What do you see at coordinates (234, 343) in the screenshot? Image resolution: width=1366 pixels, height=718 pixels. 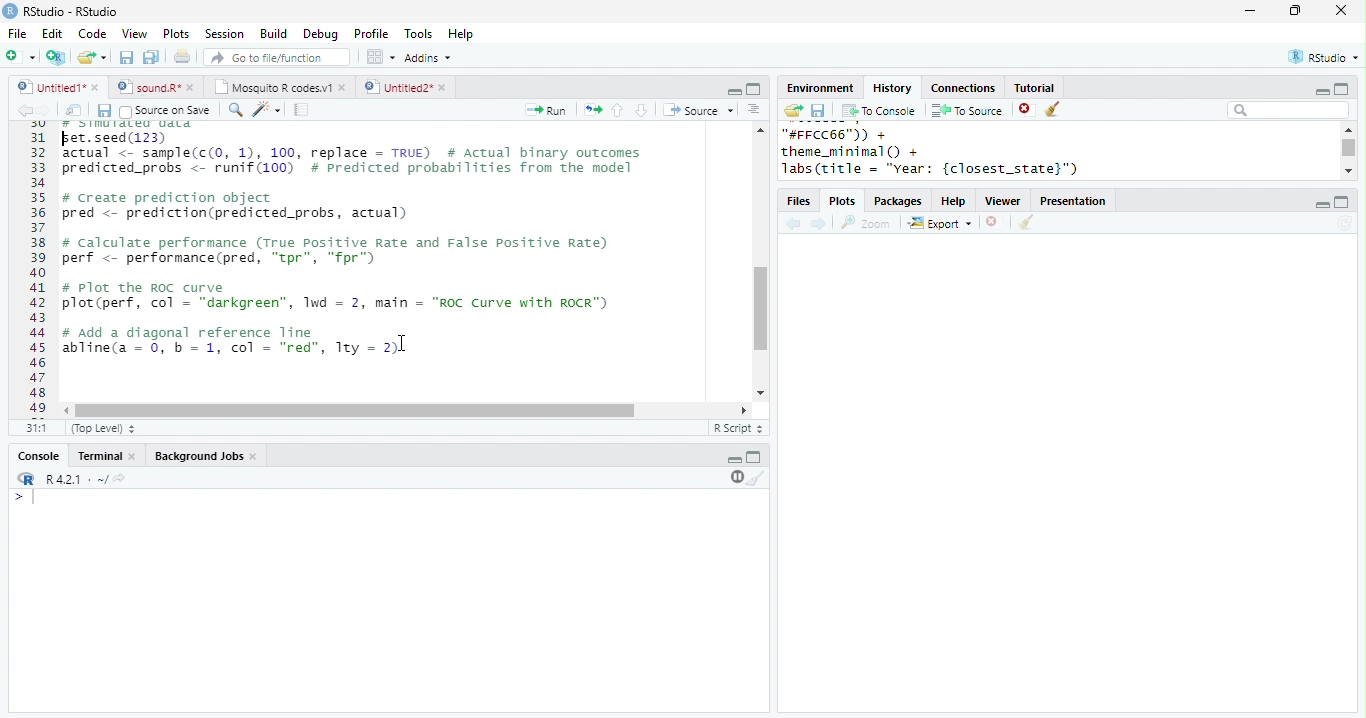 I see `# Add a diagonal reference line
abline(a = 0, b = 1, col = "red", Try = 2)` at bounding box center [234, 343].